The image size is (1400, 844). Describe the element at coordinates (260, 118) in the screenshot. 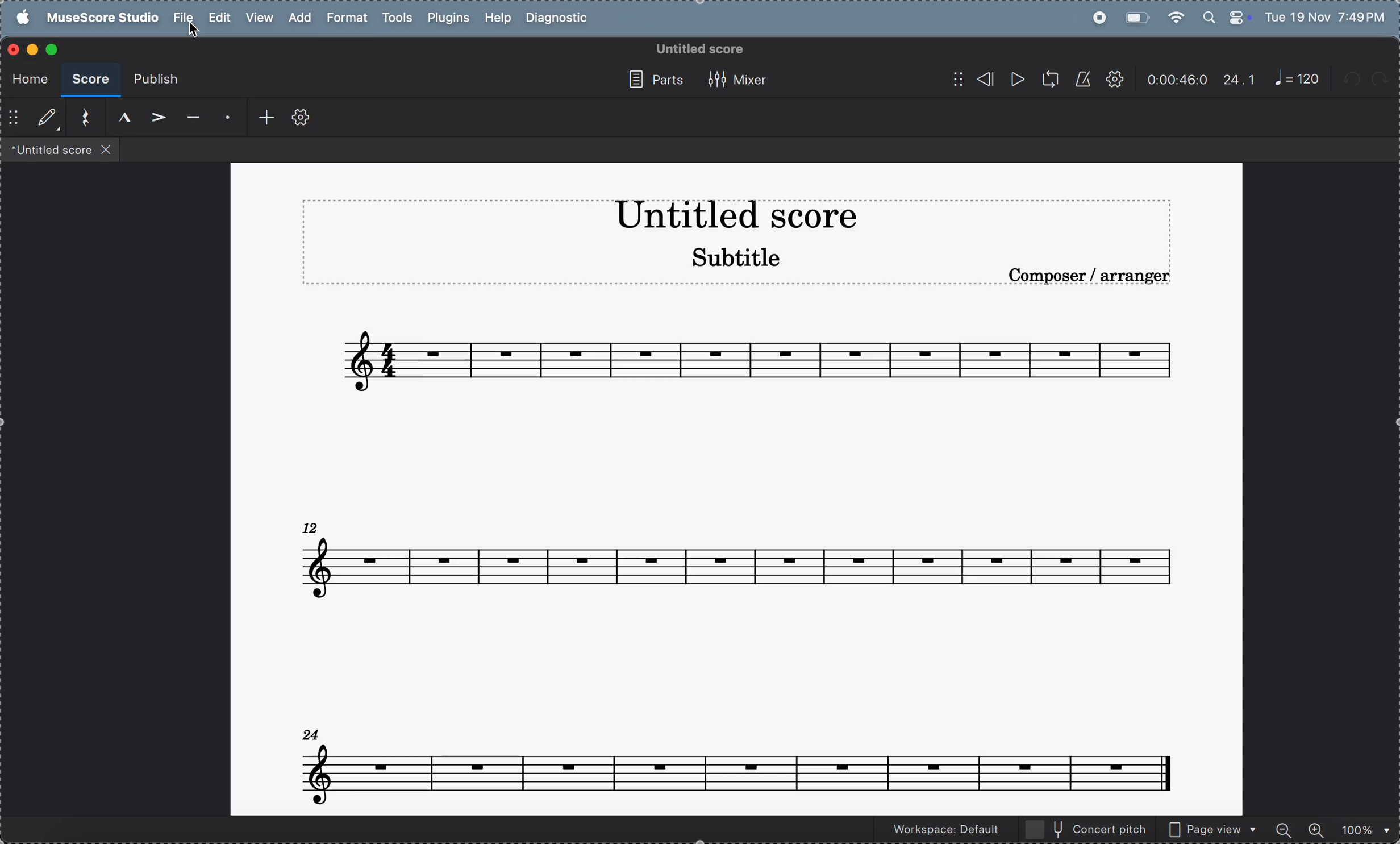

I see `add` at that location.